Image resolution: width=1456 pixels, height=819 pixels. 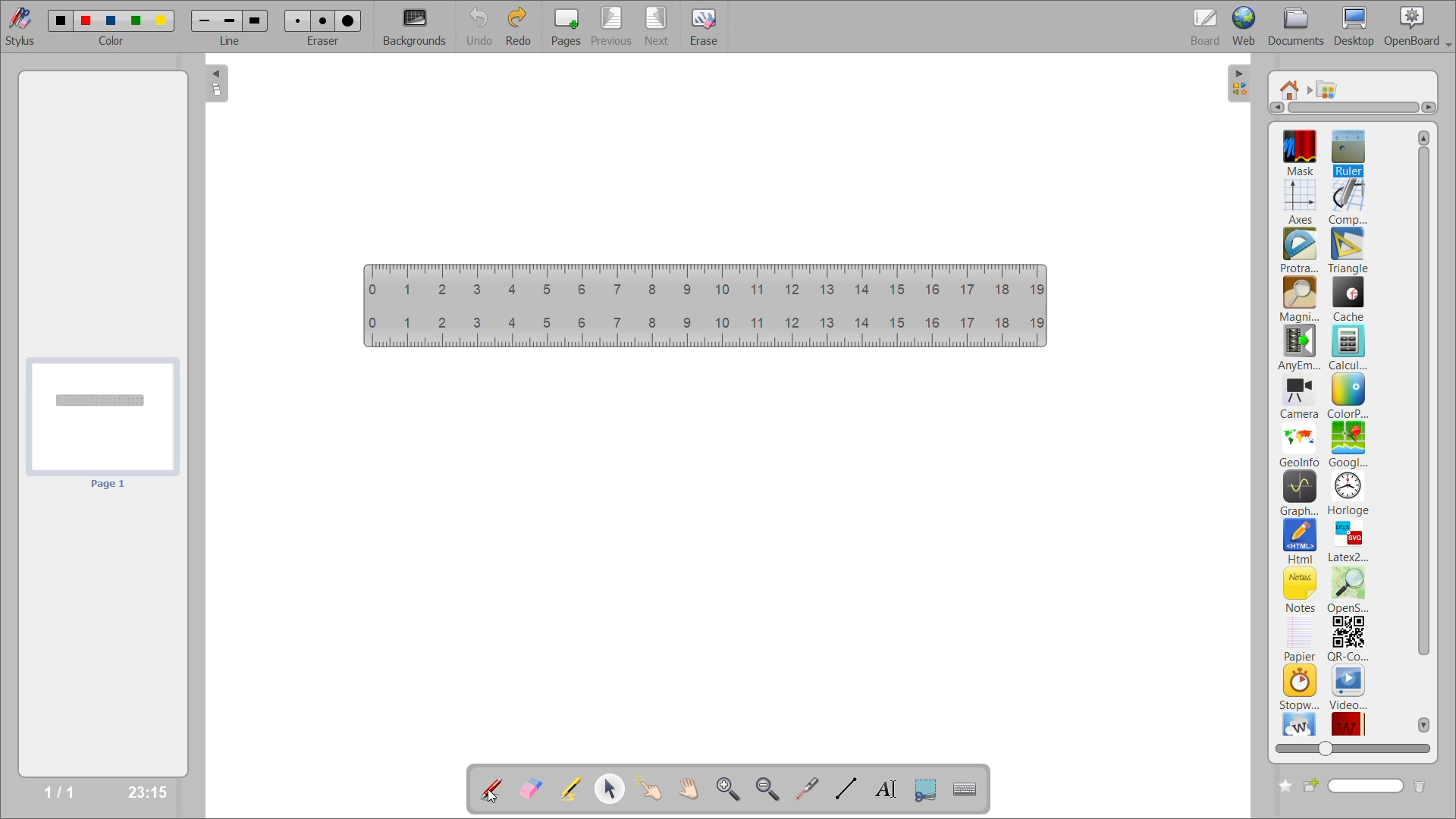 I want to click on triangle, so click(x=1348, y=251).